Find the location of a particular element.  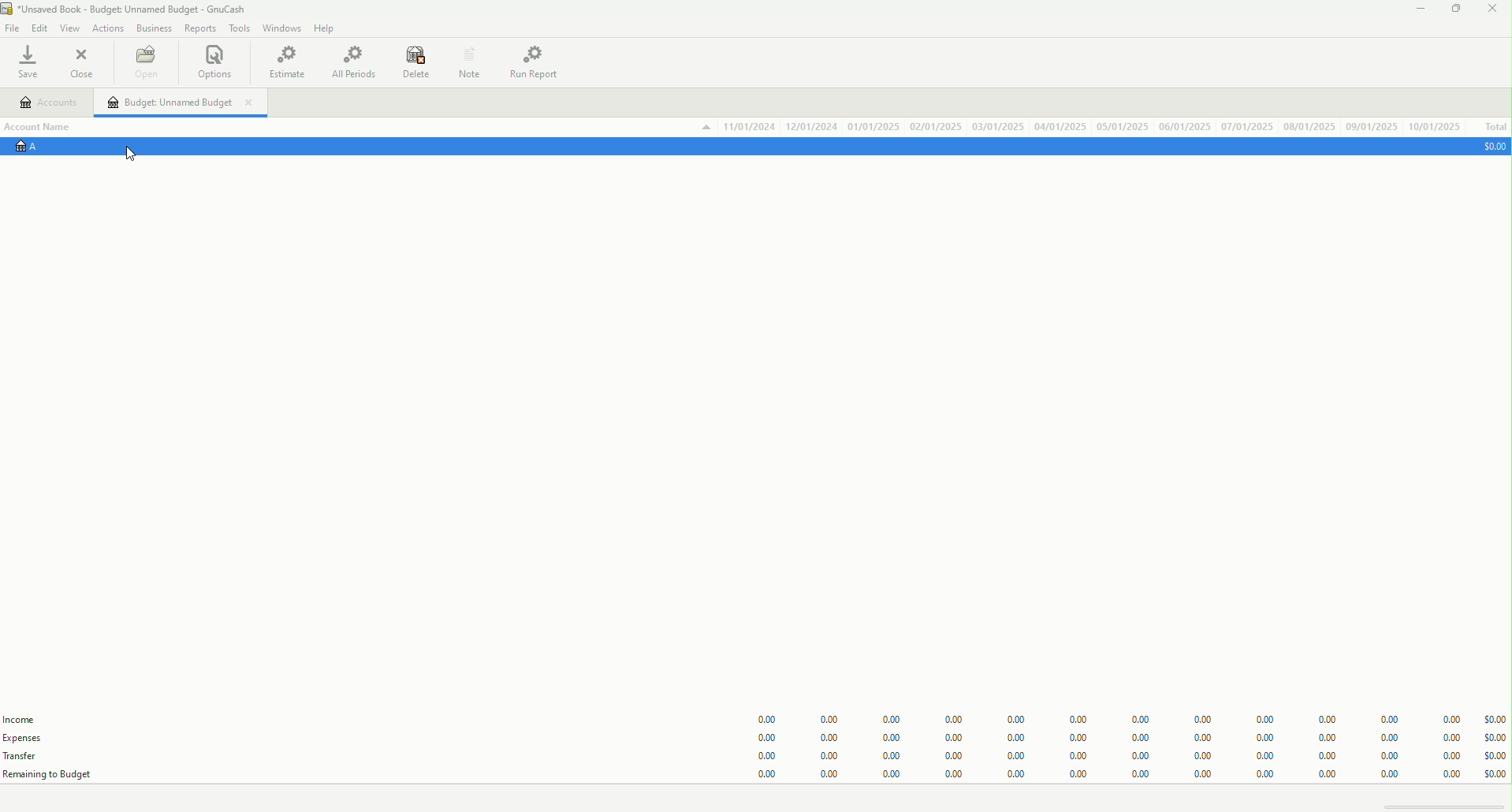

Close is located at coordinates (84, 61).